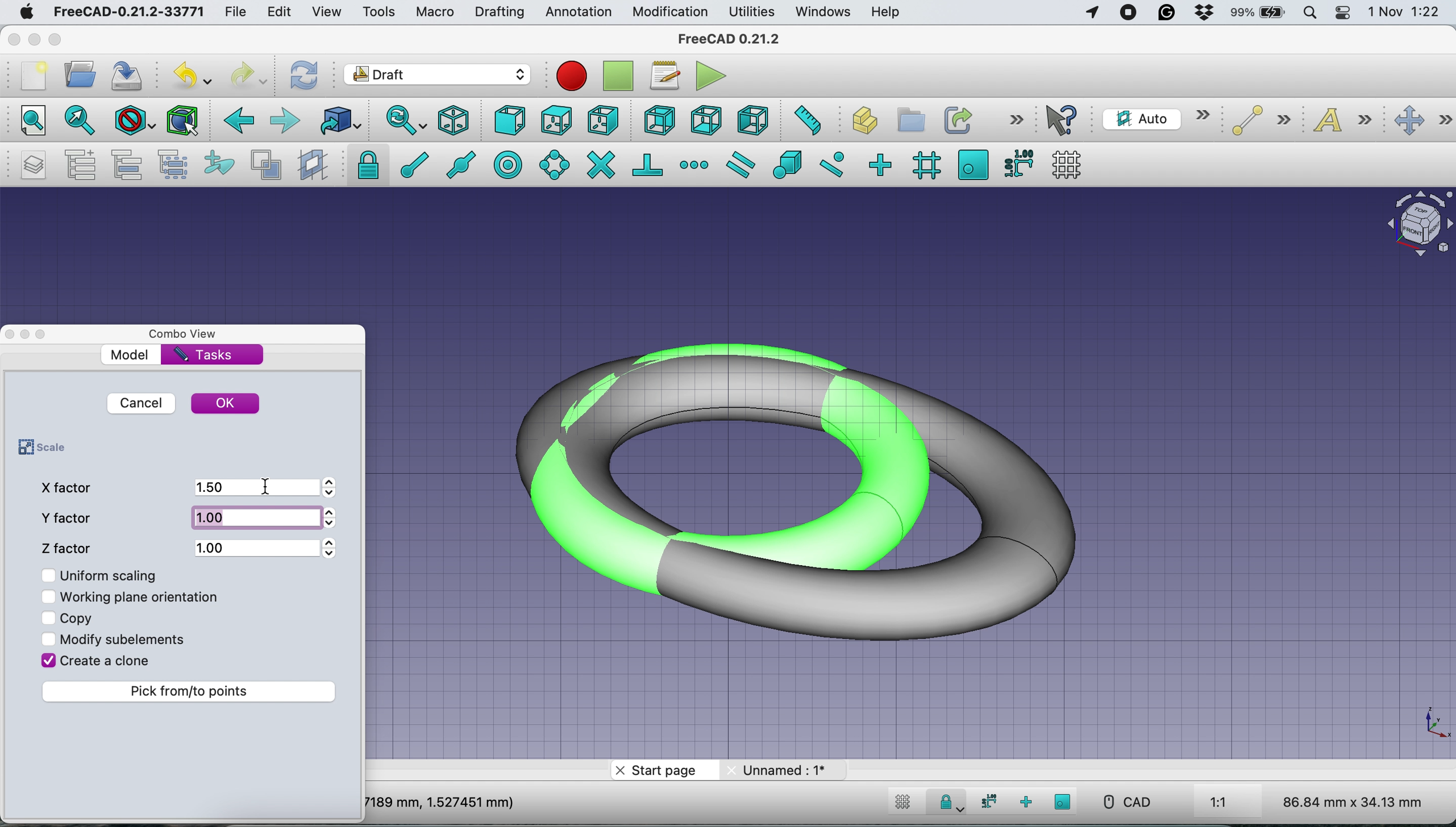  Describe the element at coordinates (145, 596) in the screenshot. I see `working plane orientation` at that location.